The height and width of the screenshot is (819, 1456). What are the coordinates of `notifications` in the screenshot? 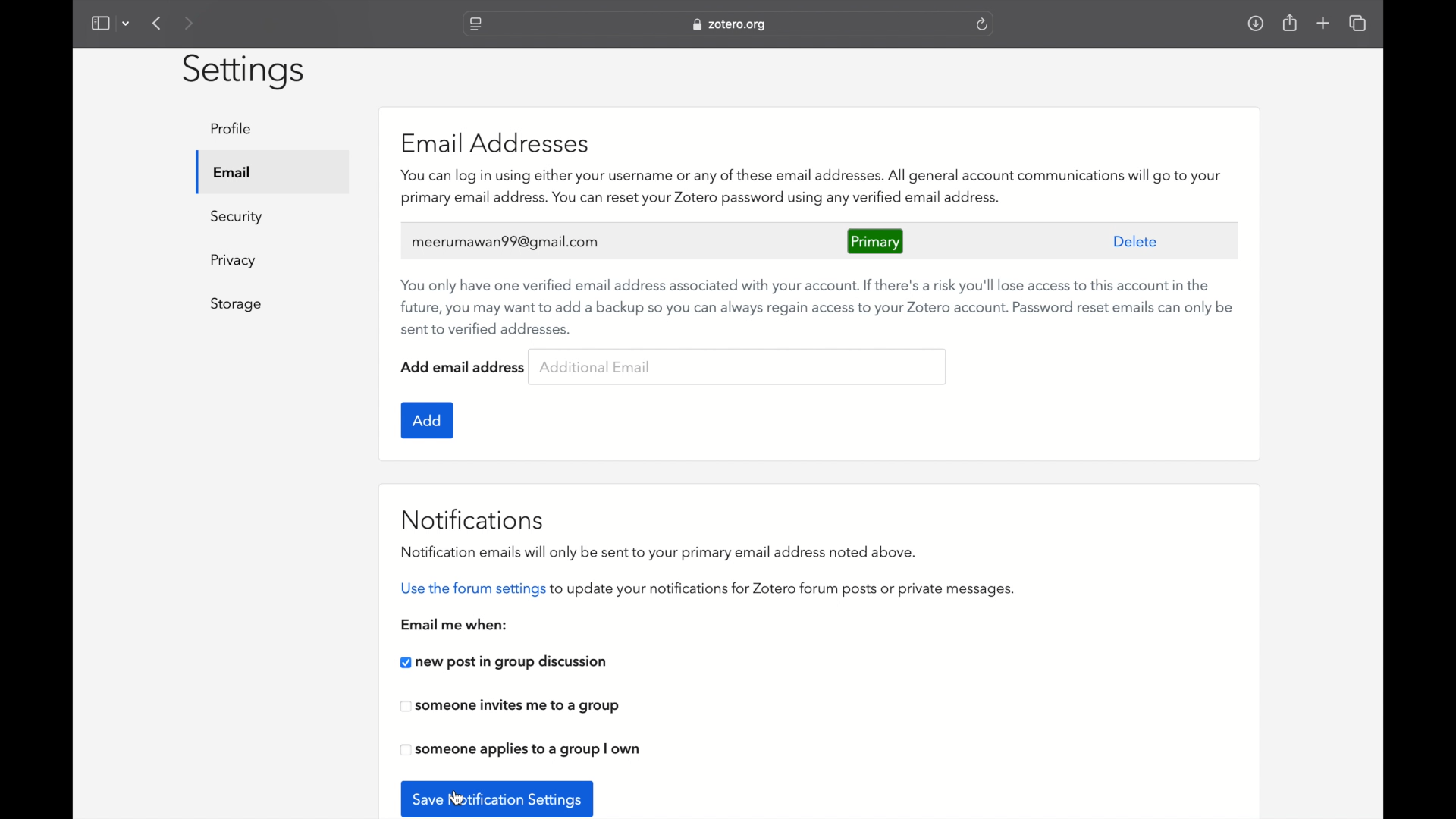 It's located at (473, 519).